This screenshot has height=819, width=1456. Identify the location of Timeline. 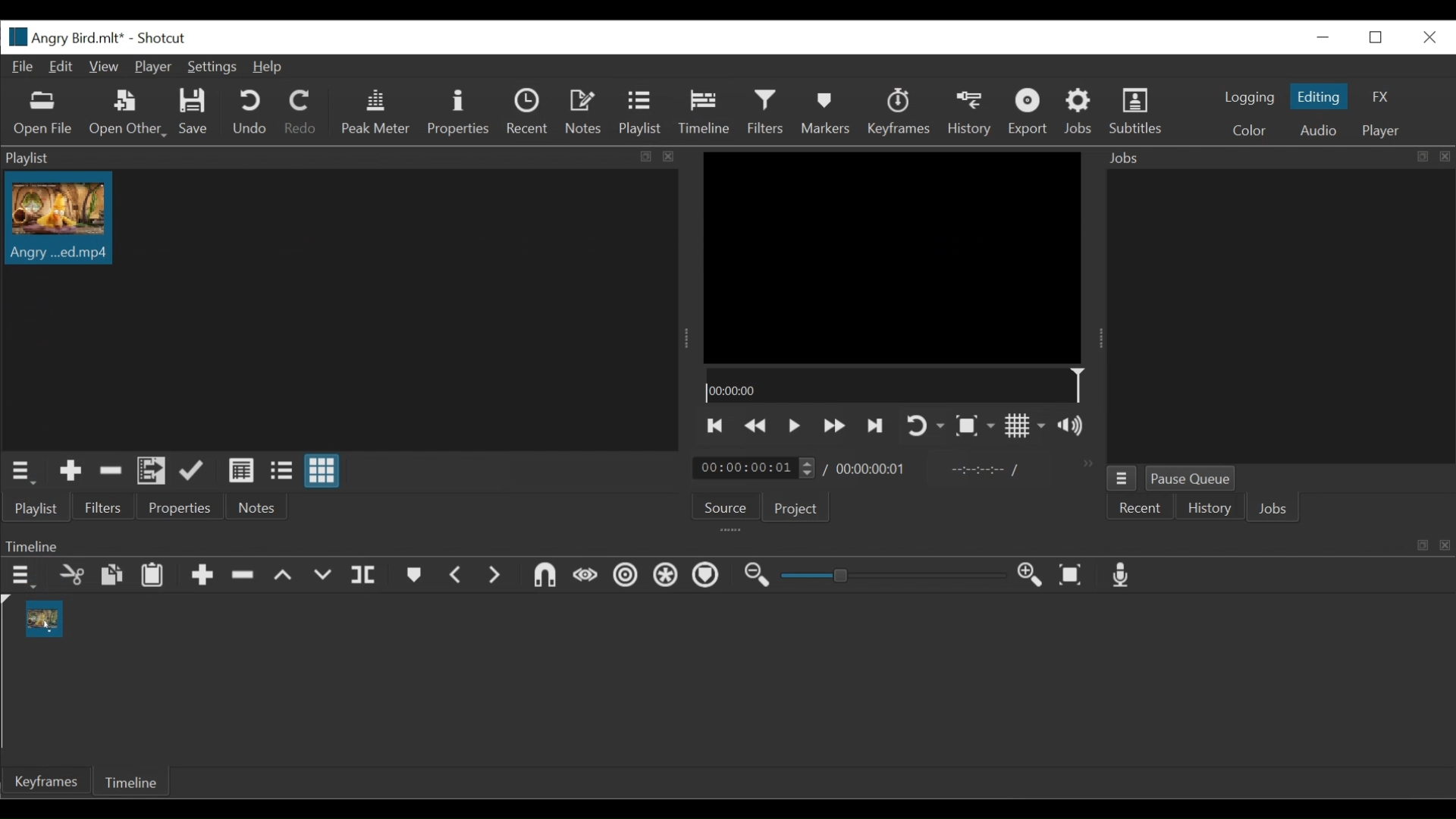
(897, 388).